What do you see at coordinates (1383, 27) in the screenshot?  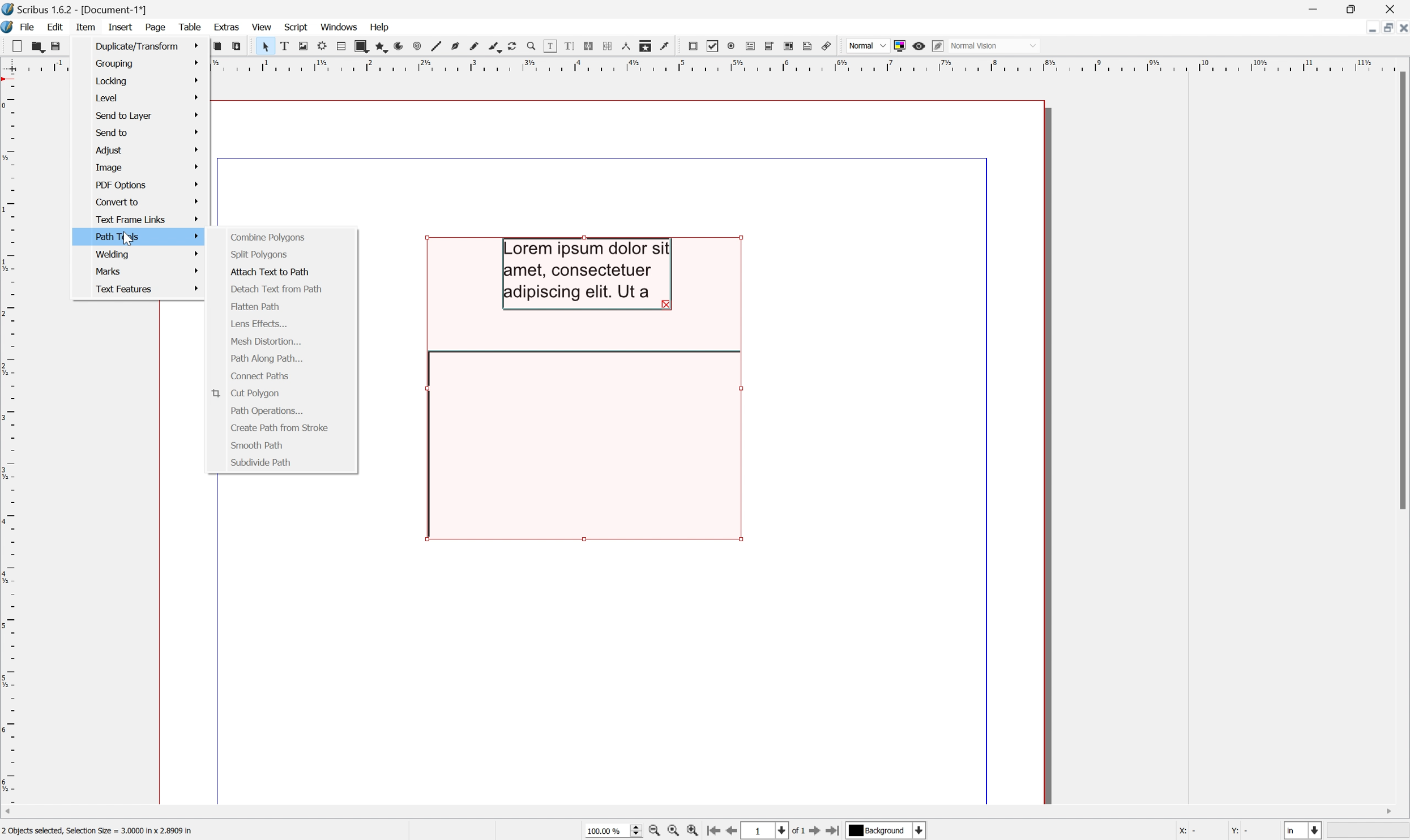 I see `Restore down` at bounding box center [1383, 27].